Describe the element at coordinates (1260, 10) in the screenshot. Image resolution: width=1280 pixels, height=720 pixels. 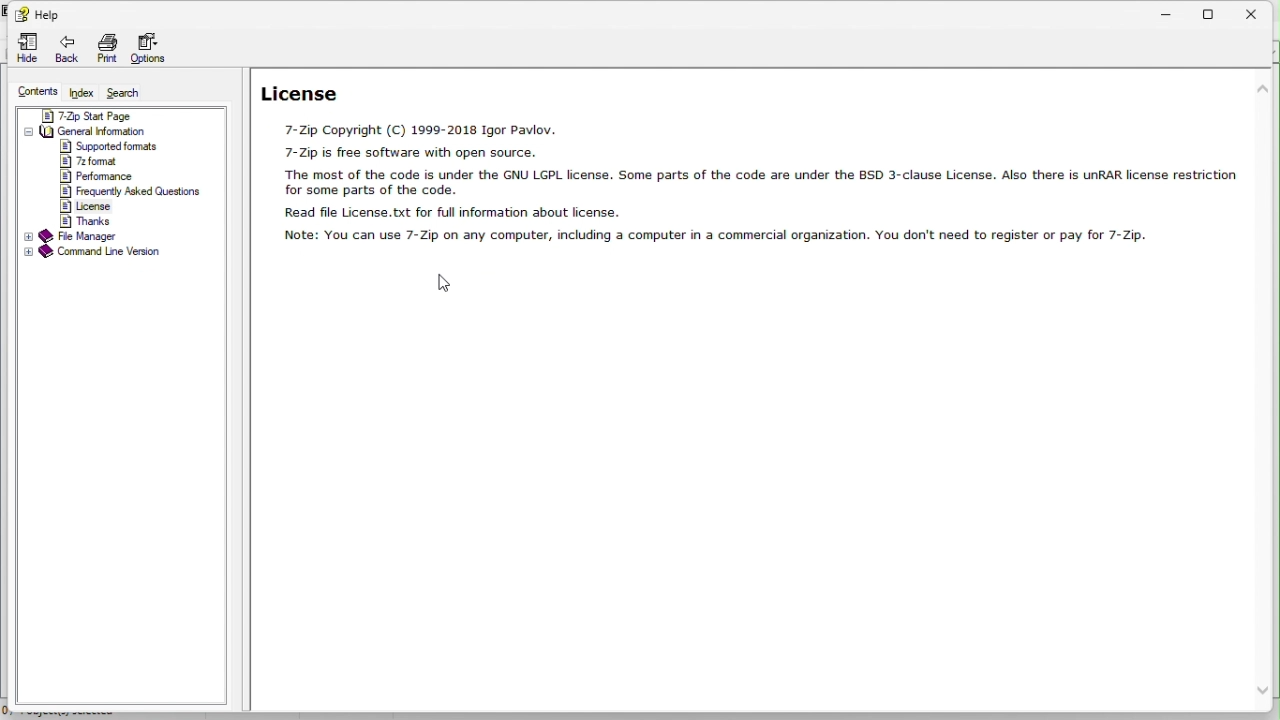
I see `Close` at that location.